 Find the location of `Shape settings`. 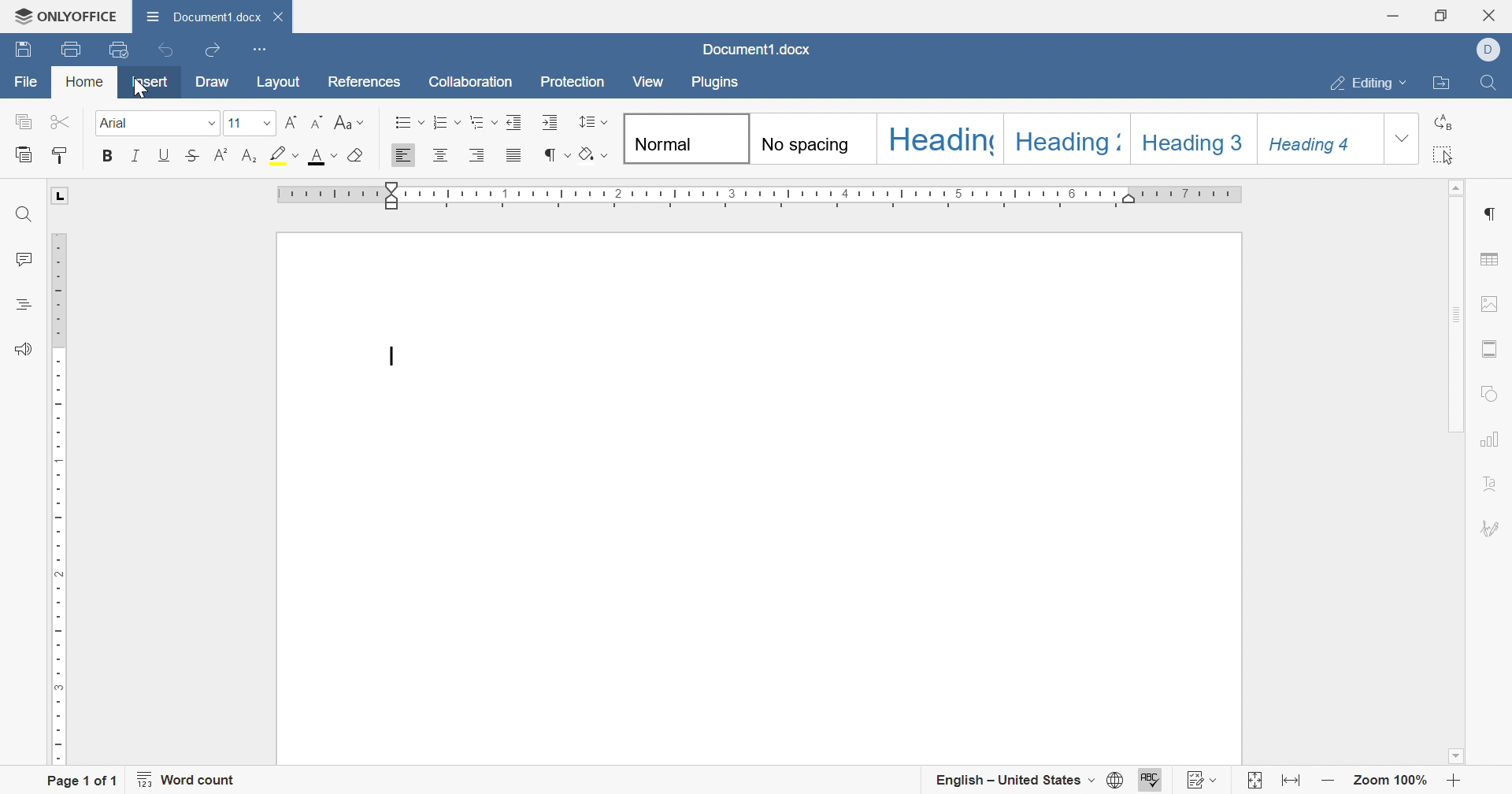

Shape settings is located at coordinates (1494, 394).